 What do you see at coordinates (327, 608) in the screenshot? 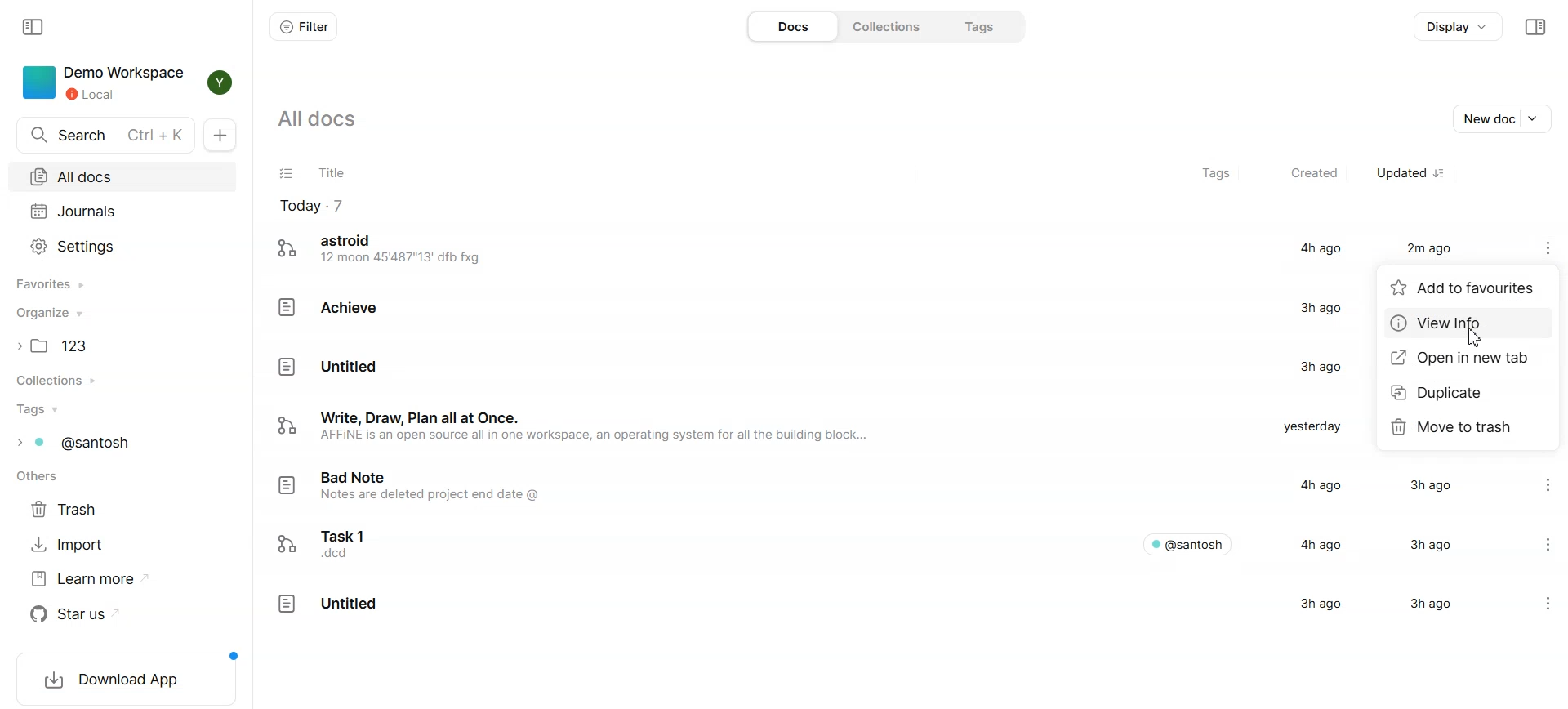
I see `Untitled` at bounding box center [327, 608].